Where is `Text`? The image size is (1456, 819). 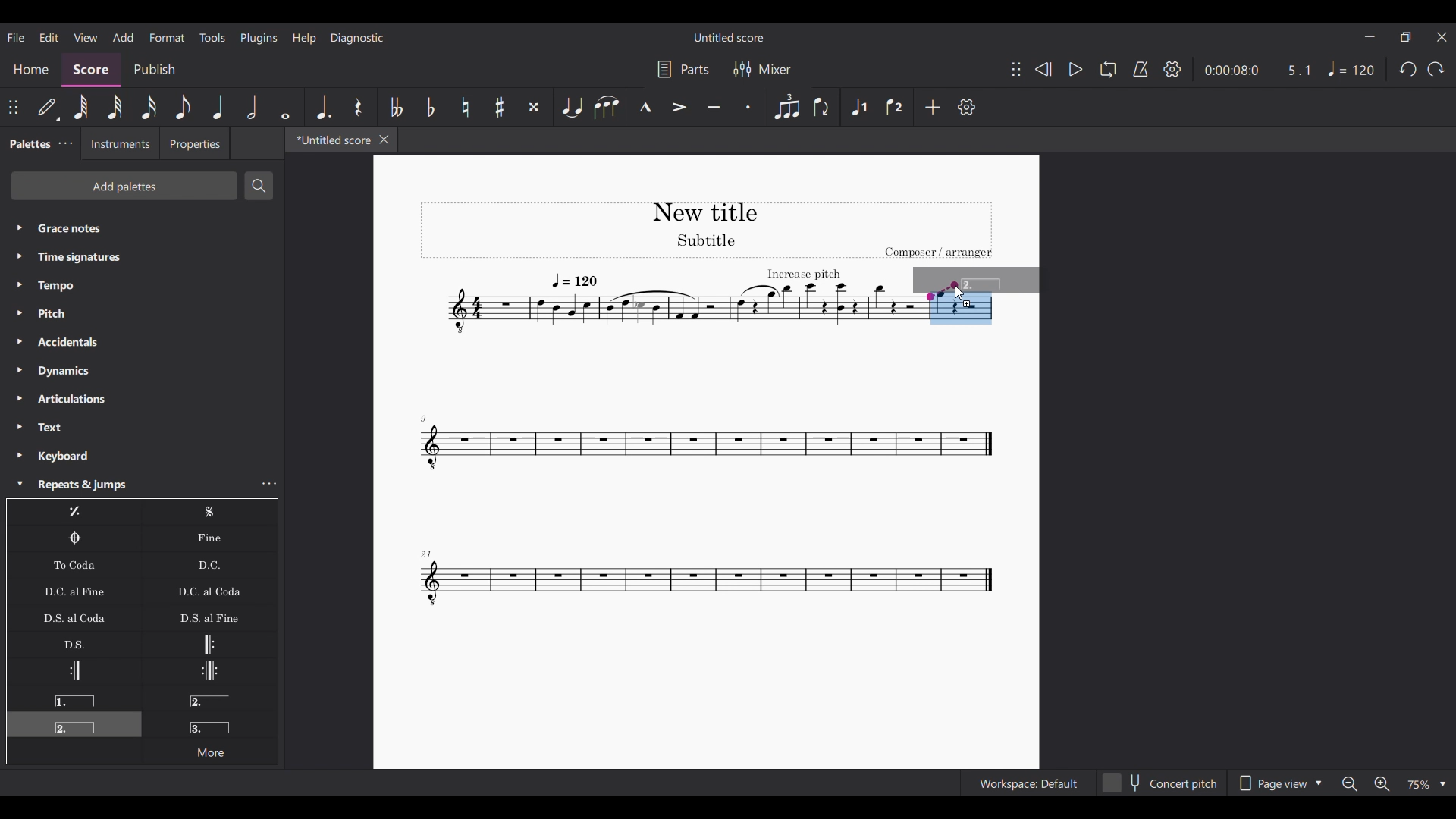 Text is located at coordinates (143, 428).